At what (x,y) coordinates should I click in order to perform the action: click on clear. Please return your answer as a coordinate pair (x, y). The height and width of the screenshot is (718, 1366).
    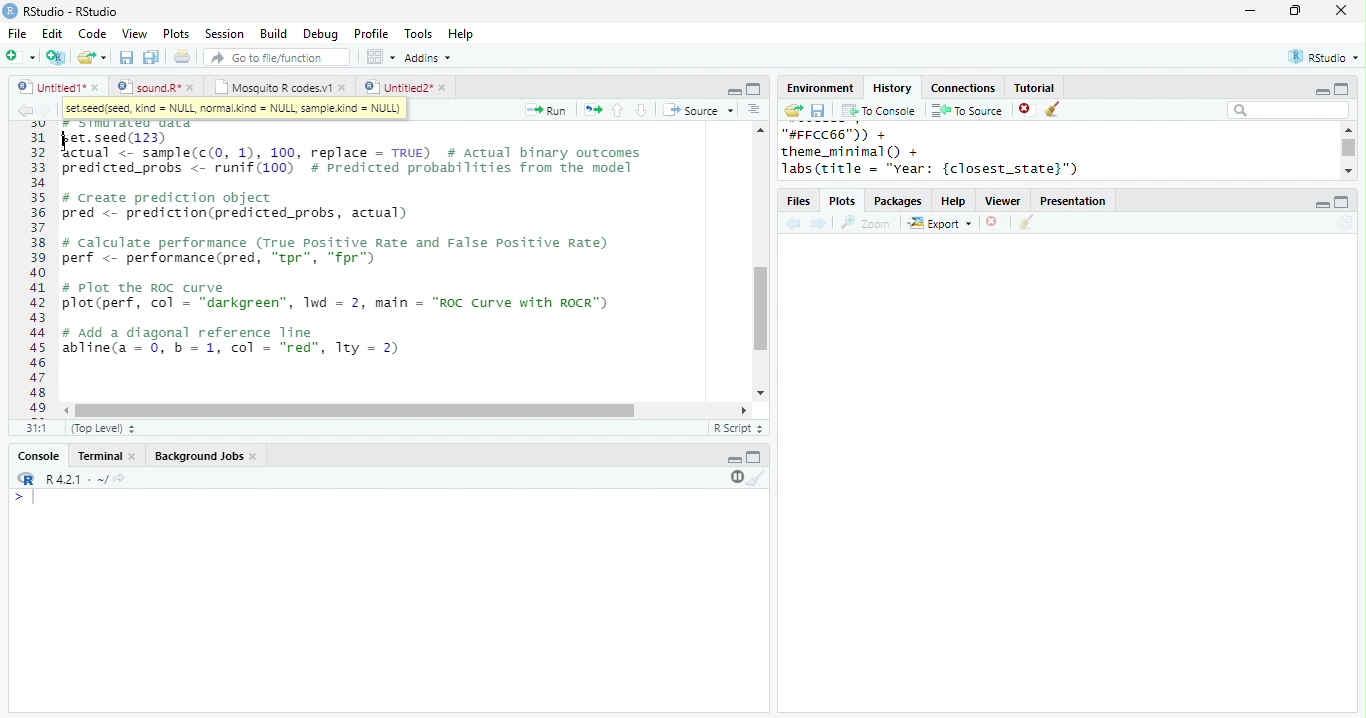
    Looking at the image, I should click on (1026, 223).